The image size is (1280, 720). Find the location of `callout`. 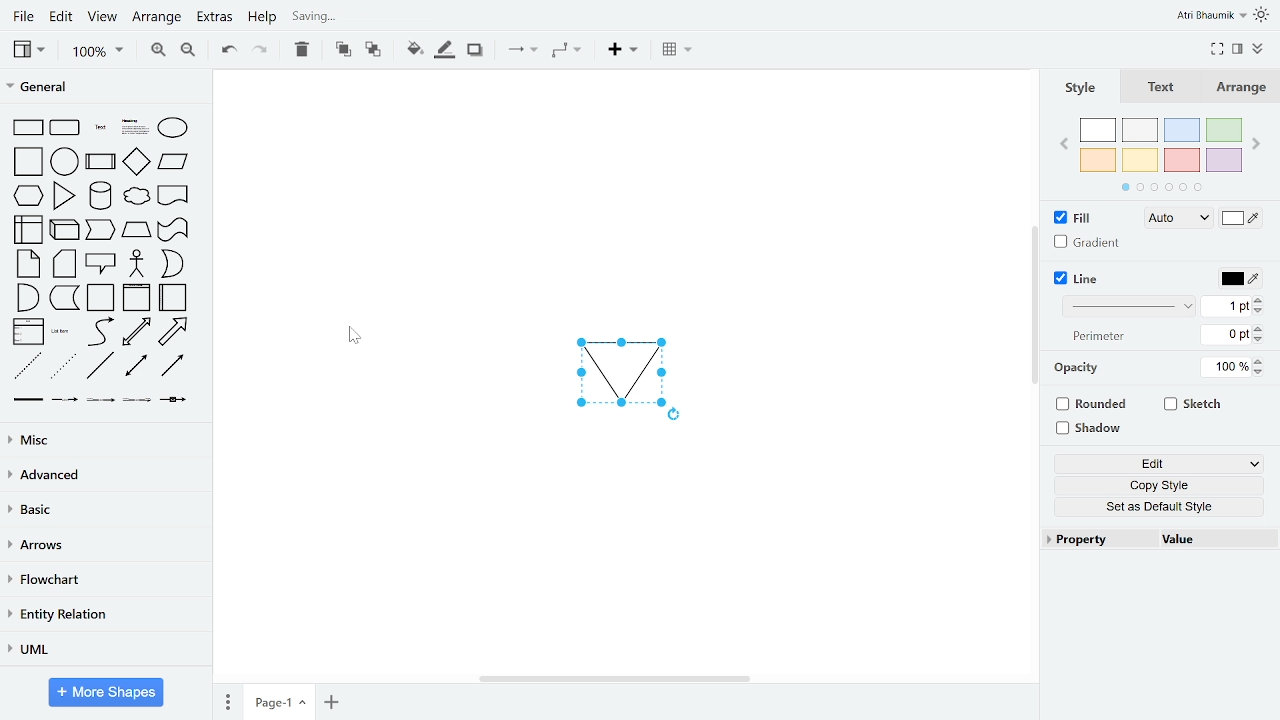

callout is located at coordinates (100, 265).